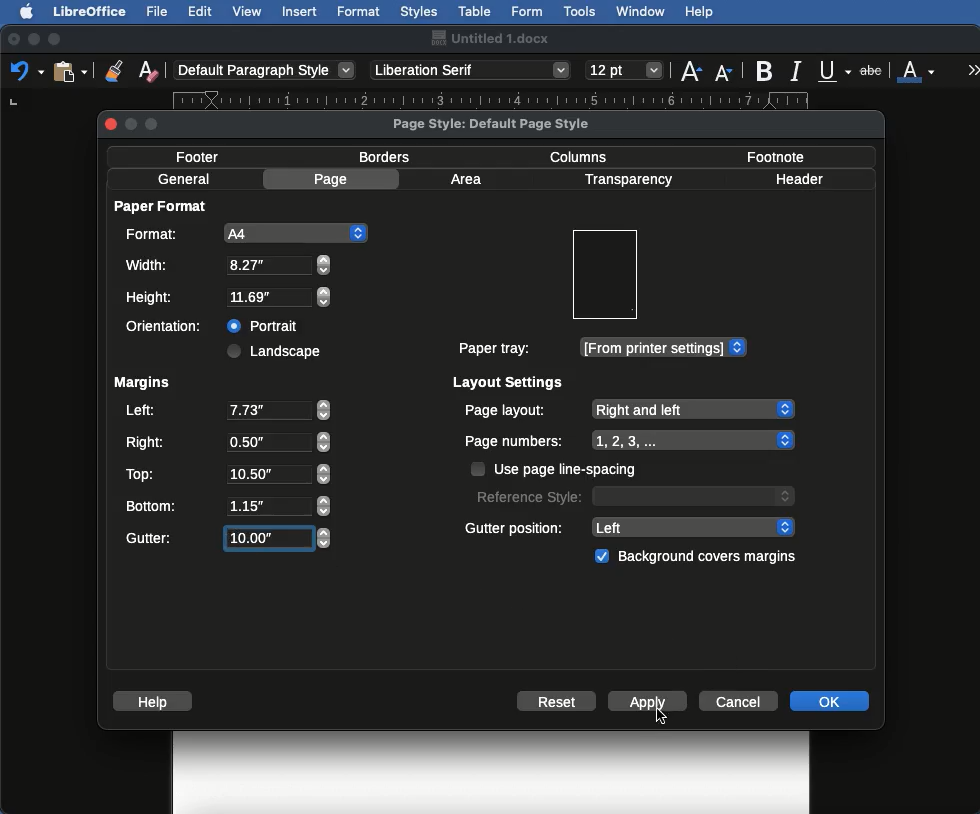 This screenshot has width=980, height=814. I want to click on Transparency, so click(627, 180).